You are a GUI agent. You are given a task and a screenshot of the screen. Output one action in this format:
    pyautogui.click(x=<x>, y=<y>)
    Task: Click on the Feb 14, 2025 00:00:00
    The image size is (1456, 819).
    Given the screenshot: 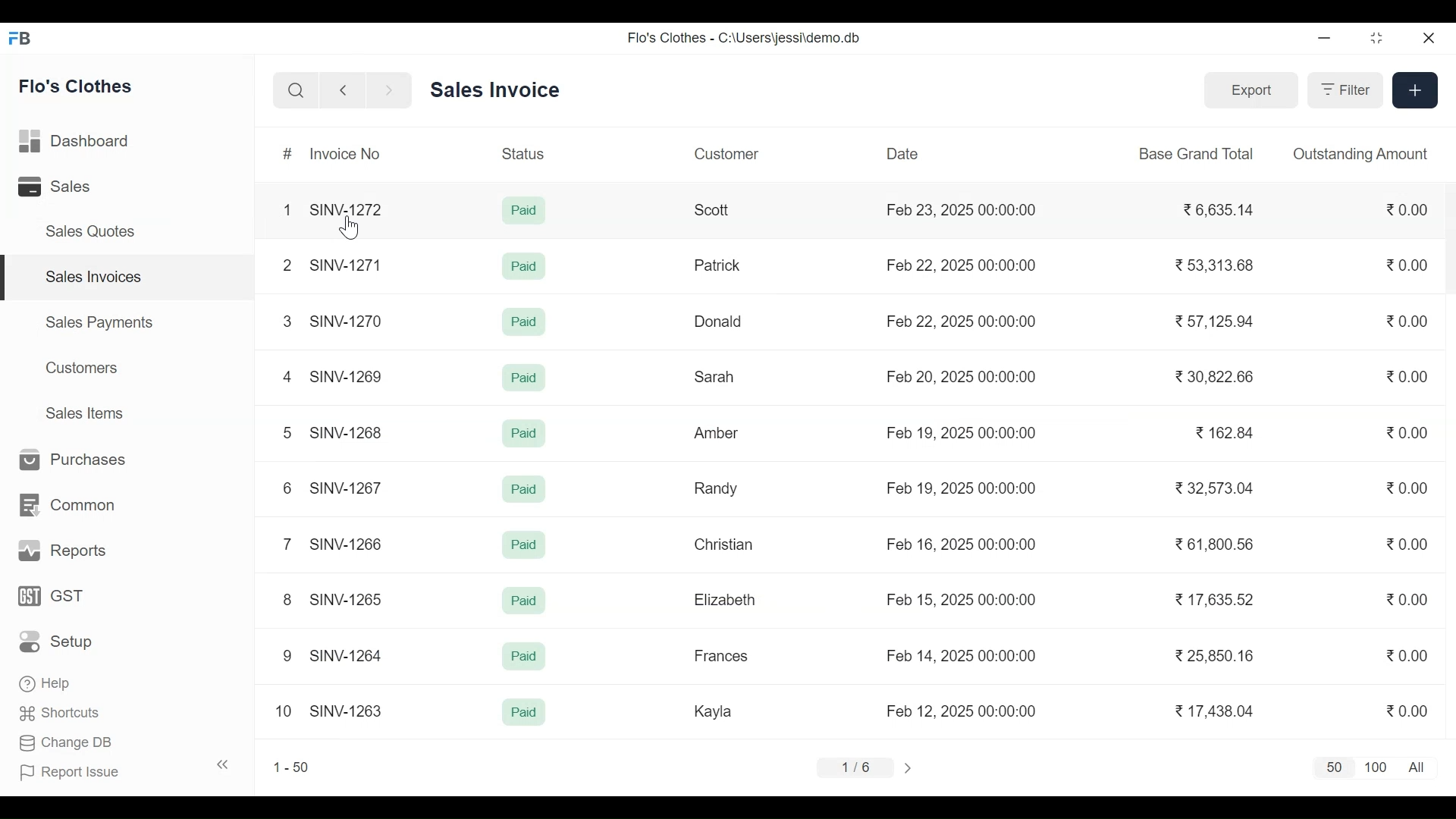 What is the action you would take?
    pyautogui.click(x=961, y=654)
    